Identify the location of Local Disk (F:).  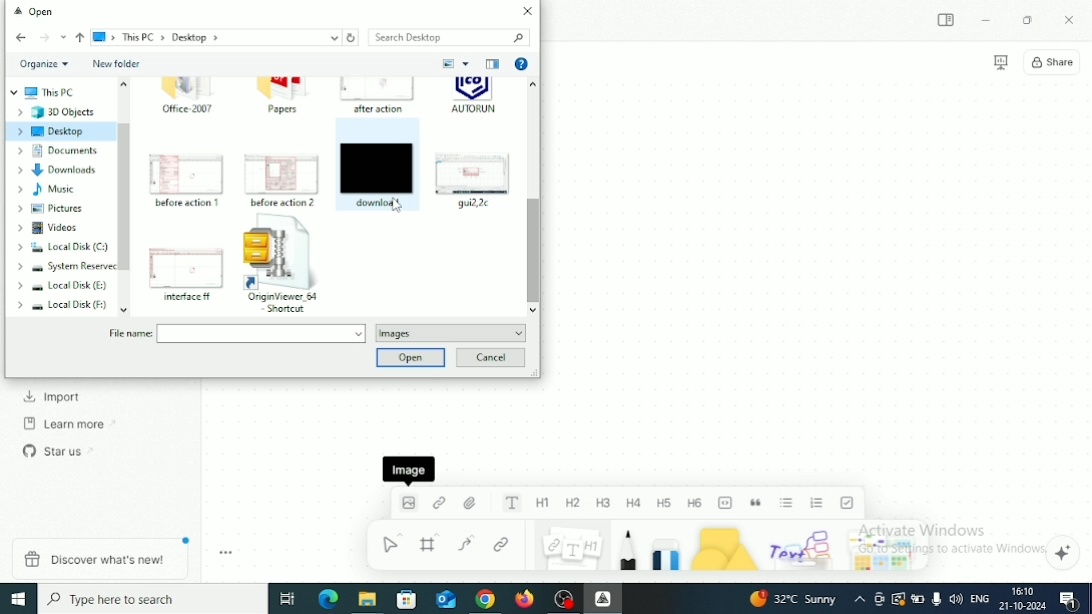
(63, 306).